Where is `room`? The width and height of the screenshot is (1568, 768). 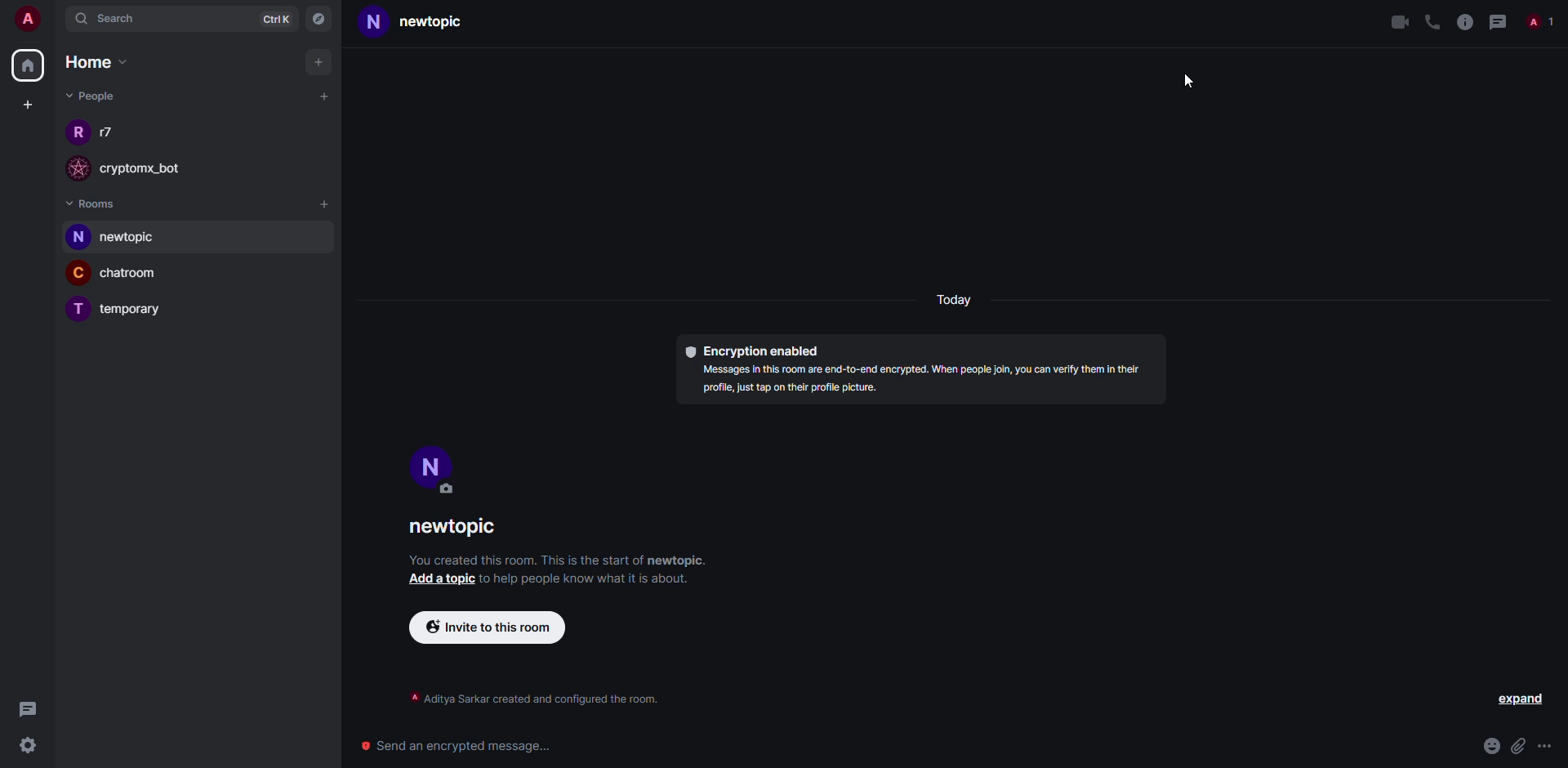 room is located at coordinates (136, 275).